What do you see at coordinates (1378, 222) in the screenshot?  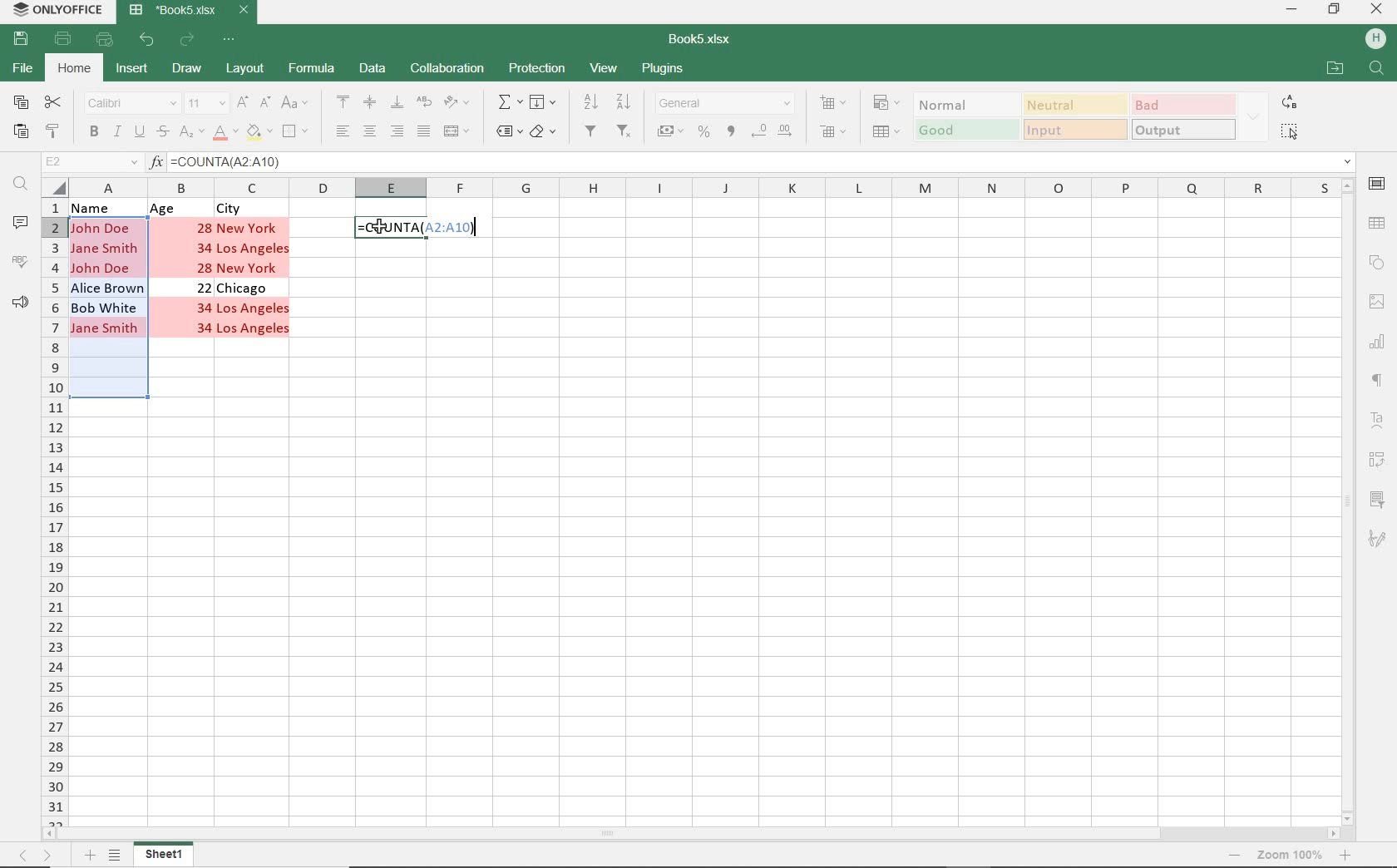 I see `Table` at bounding box center [1378, 222].